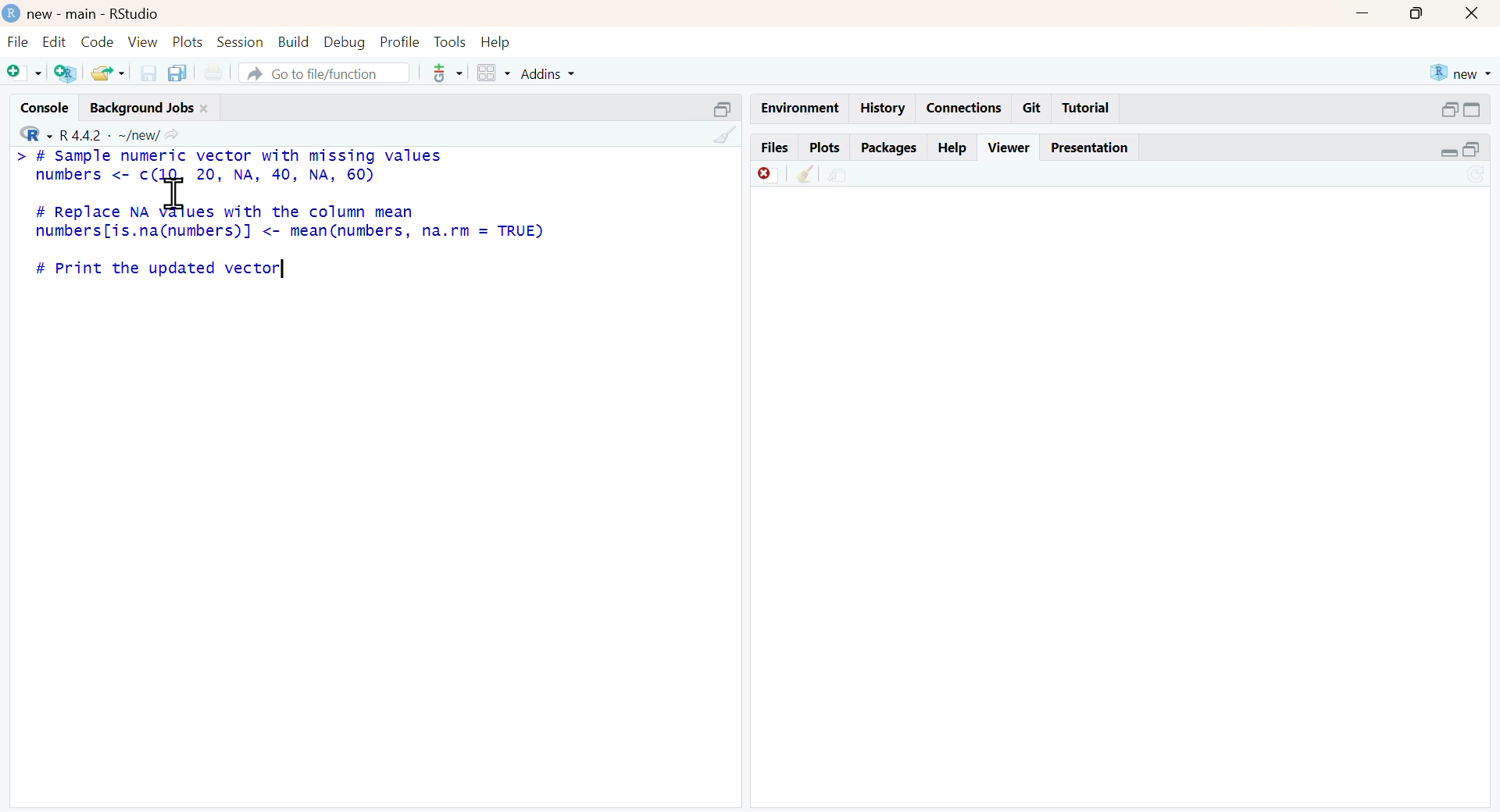 This screenshot has width=1500, height=812. What do you see at coordinates (205, 109) in the screenshot?
I see `close` at bounding box center [205, 109].